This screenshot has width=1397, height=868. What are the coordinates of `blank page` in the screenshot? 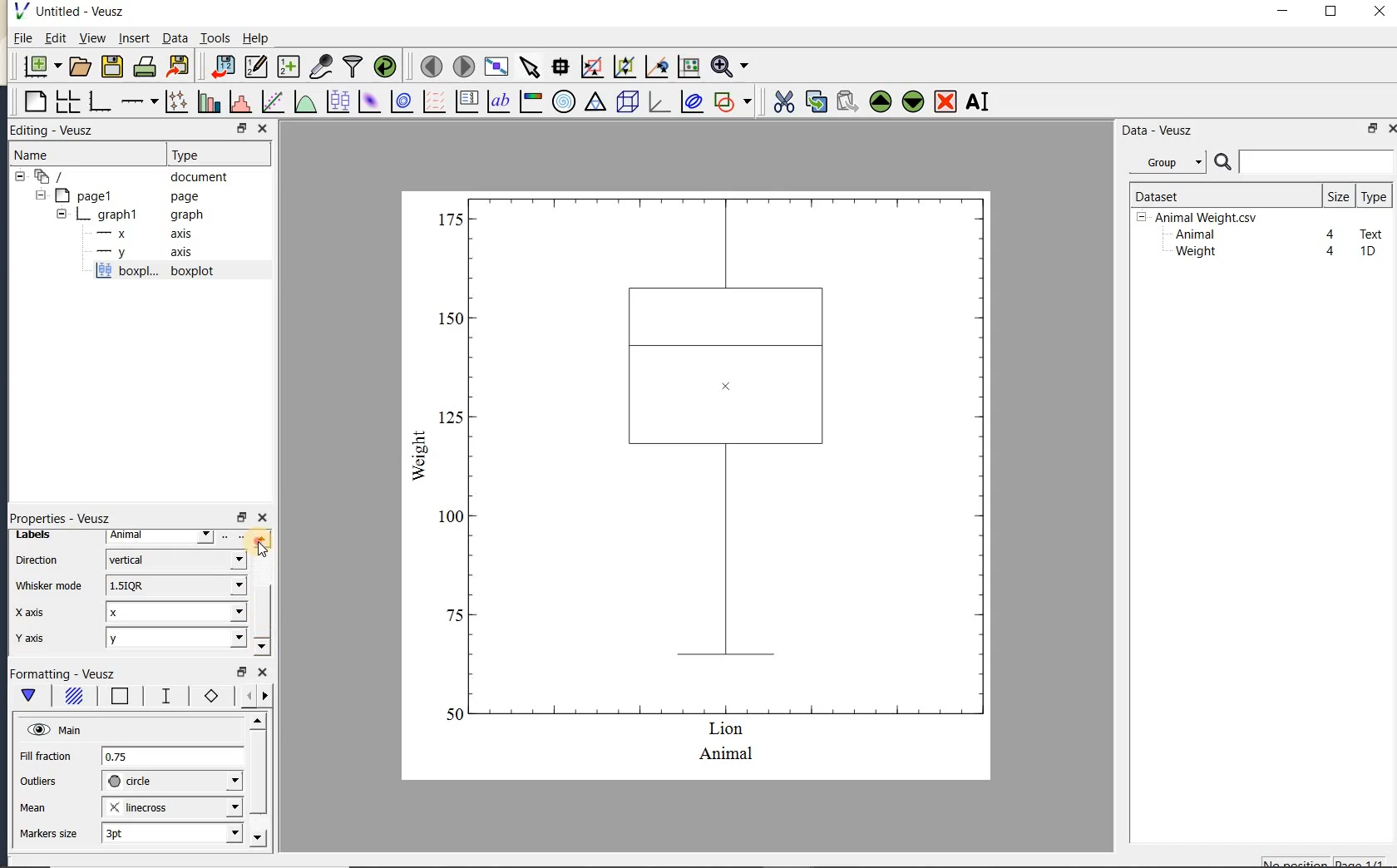 It's located at (33, 102).